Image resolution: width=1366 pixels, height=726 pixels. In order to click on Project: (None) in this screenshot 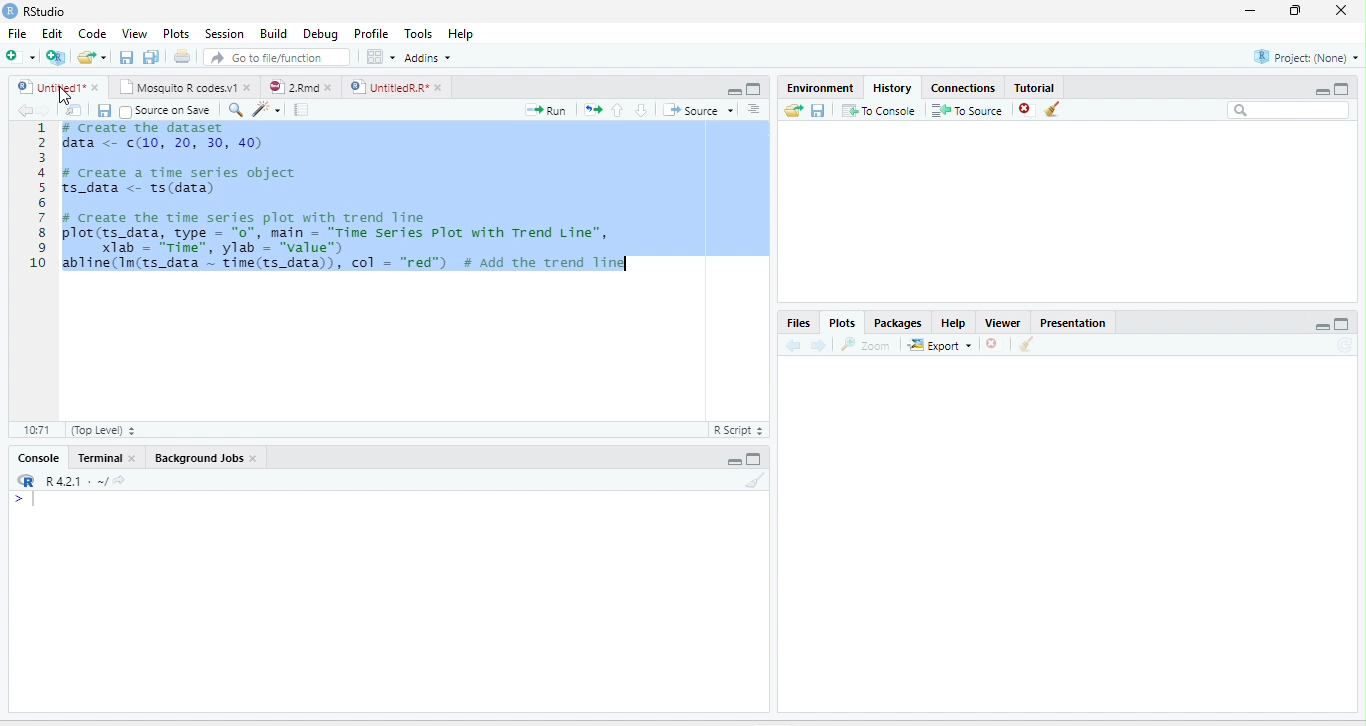, I will do `click(1304, 57)`.